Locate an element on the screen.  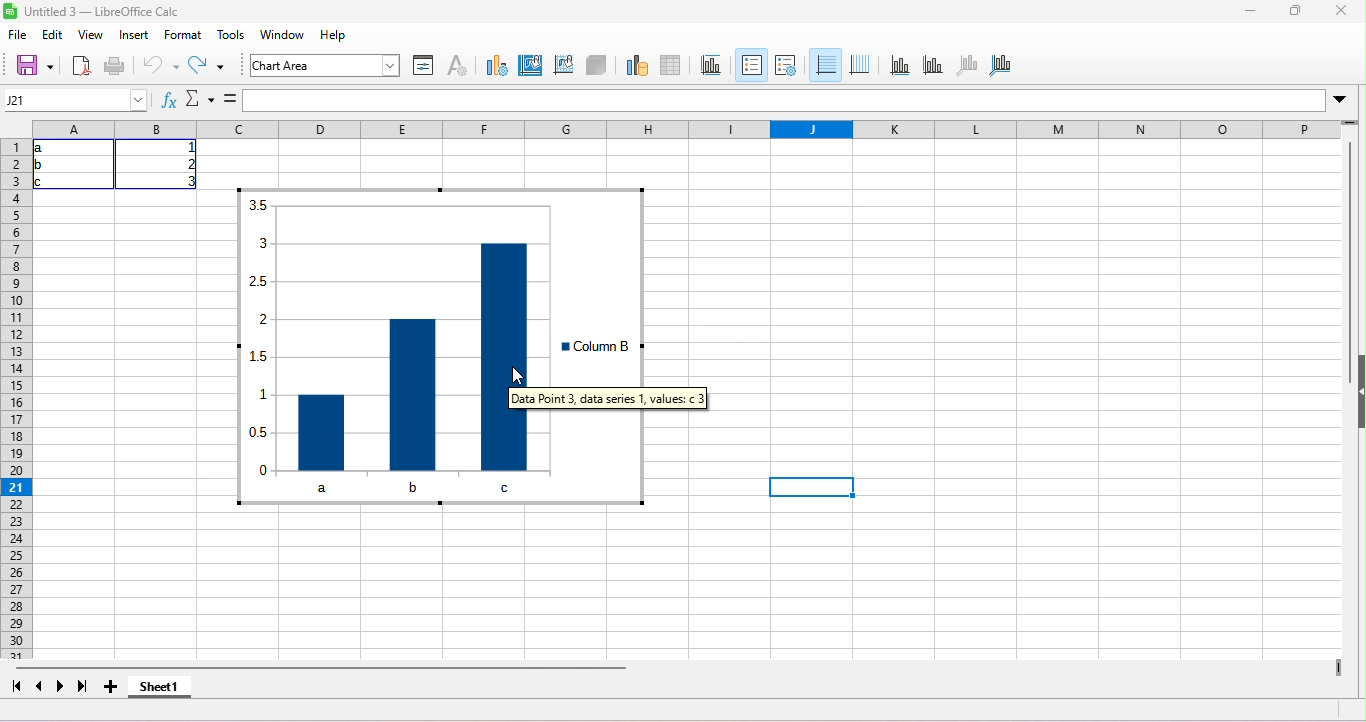
save is located at coordinates (35, 65).